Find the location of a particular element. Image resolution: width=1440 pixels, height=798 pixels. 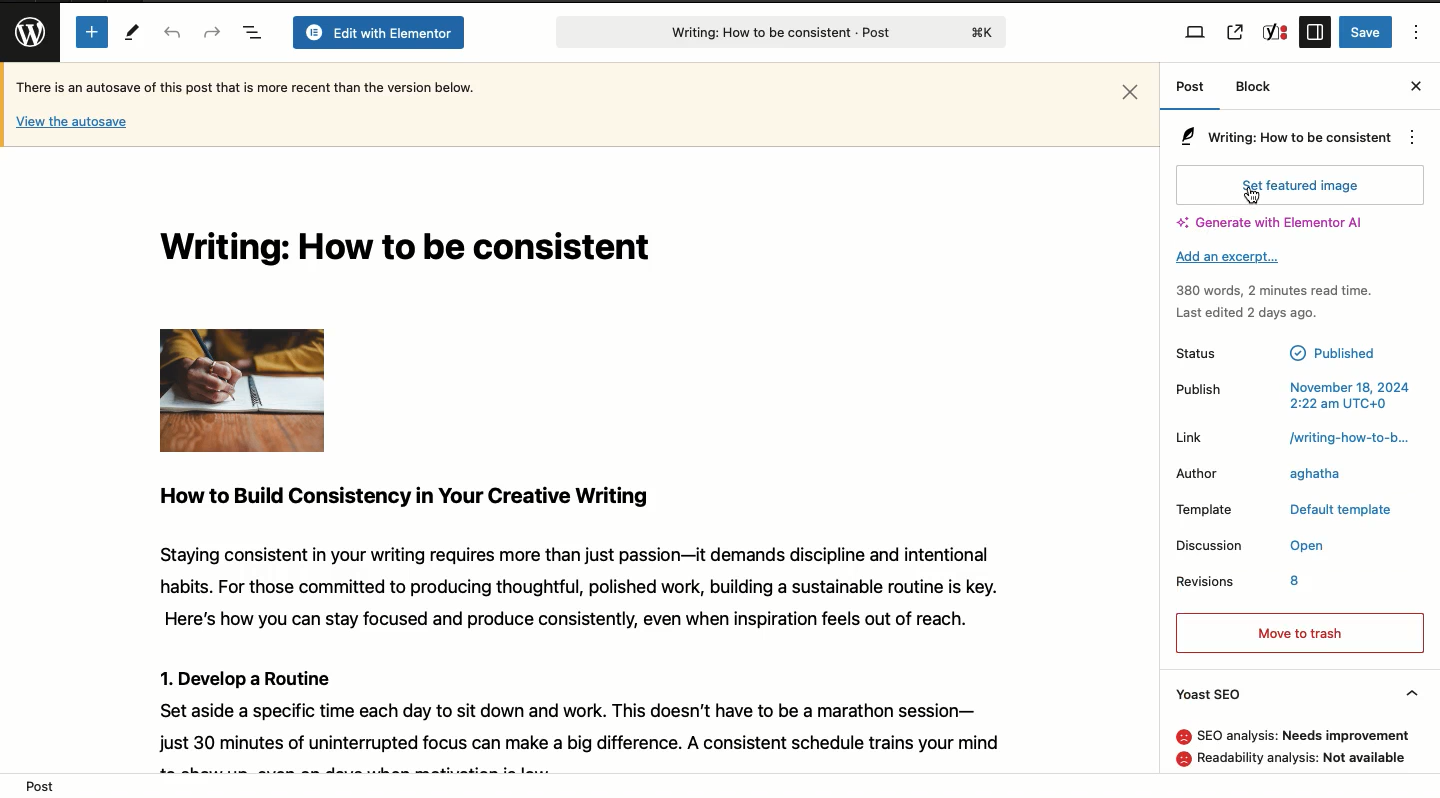

Writing: How to be consistent is located at coordinates (416, 251).